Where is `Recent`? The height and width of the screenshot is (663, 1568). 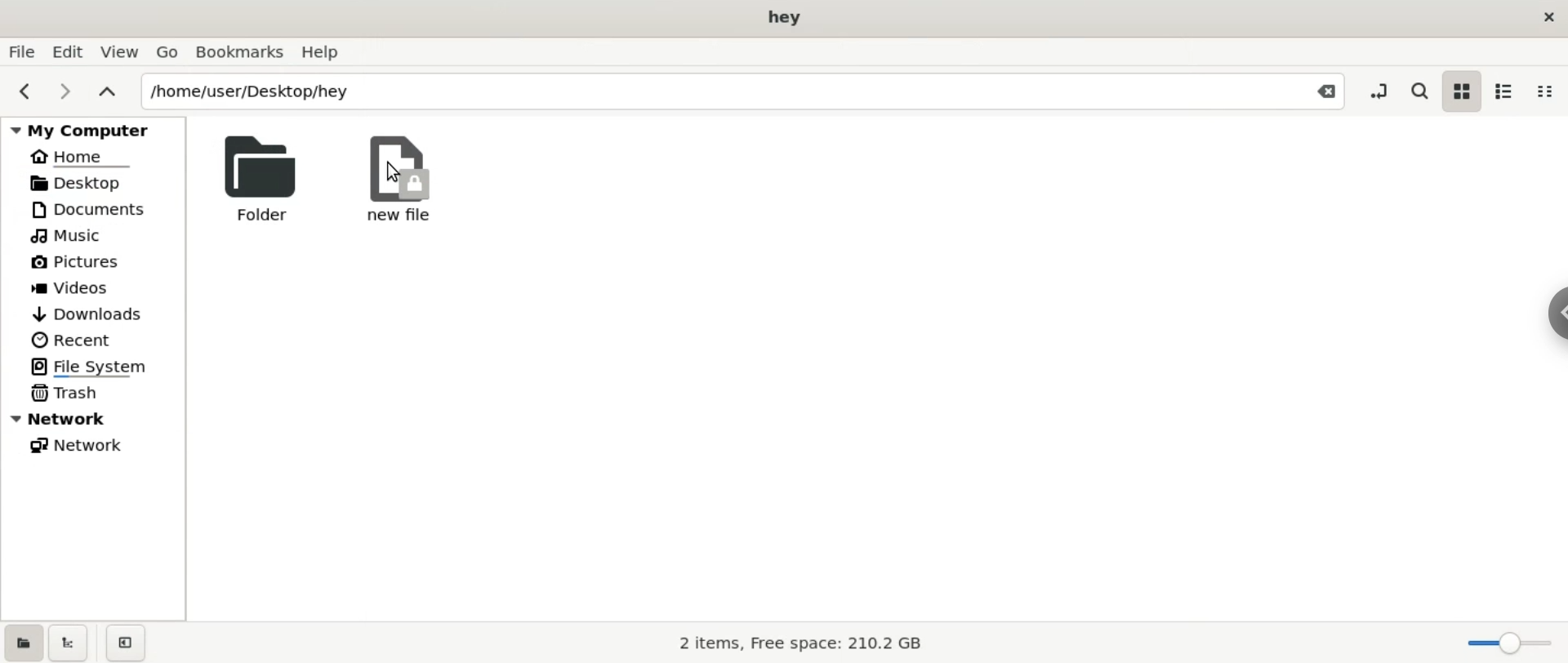
Recent is located at coordinates (71, 338).